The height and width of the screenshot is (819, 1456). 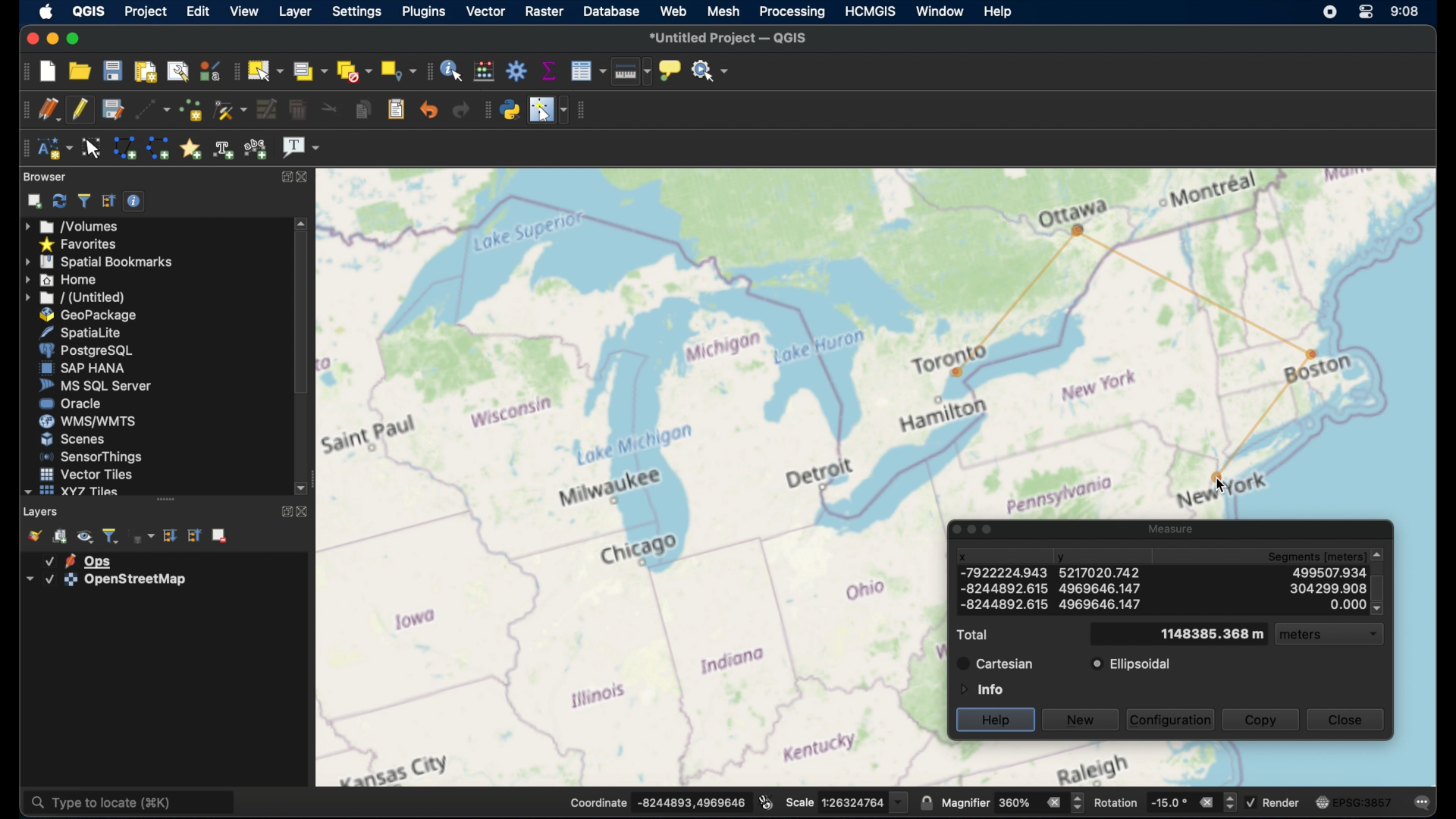 What do you see at coordinates (224, 149) in the screenshot?
I see `create text annotation along line` at bounding box center [224, 149].